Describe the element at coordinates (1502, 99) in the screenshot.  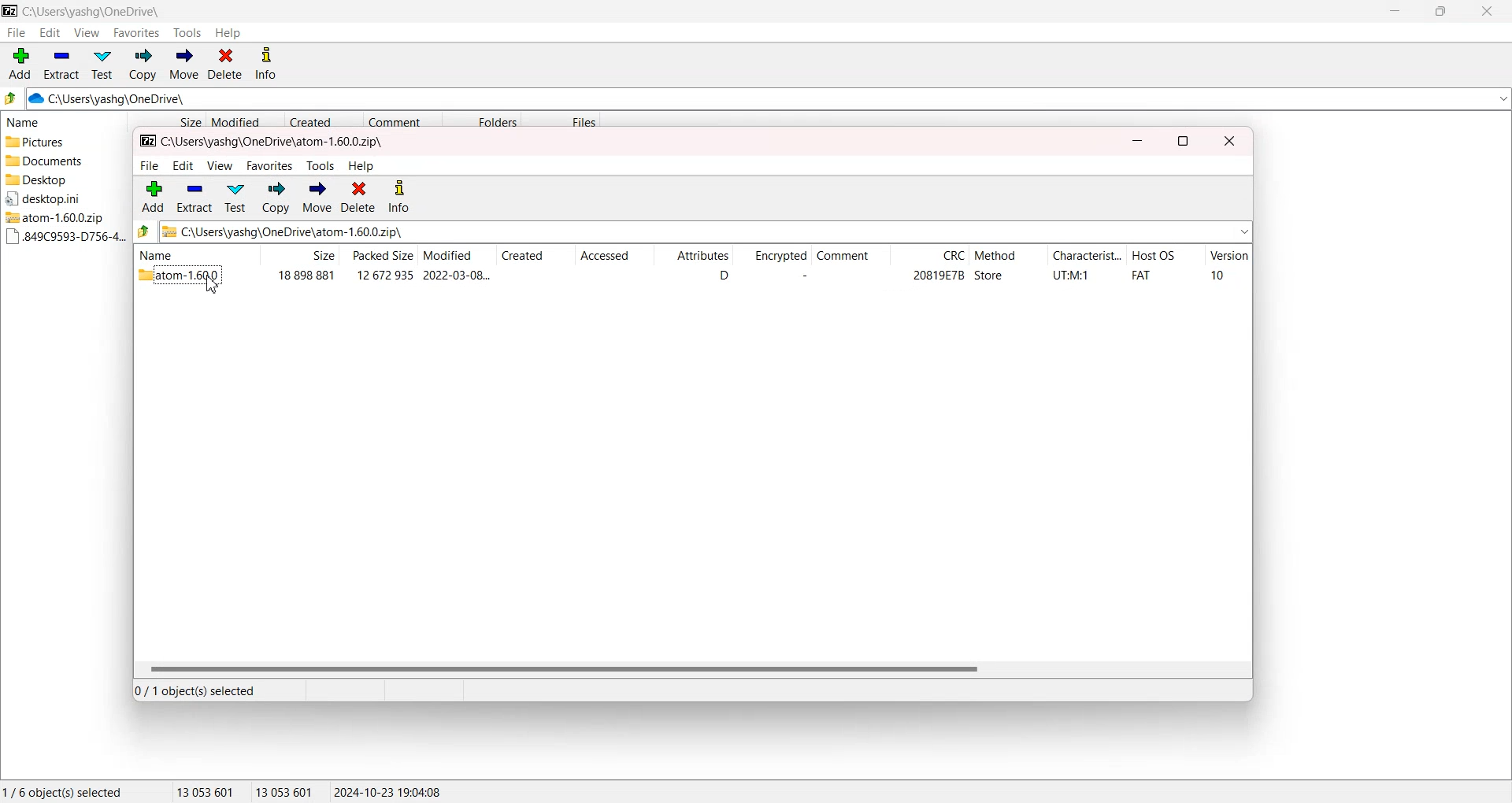
I see `Dropdown box for path address` at that location.